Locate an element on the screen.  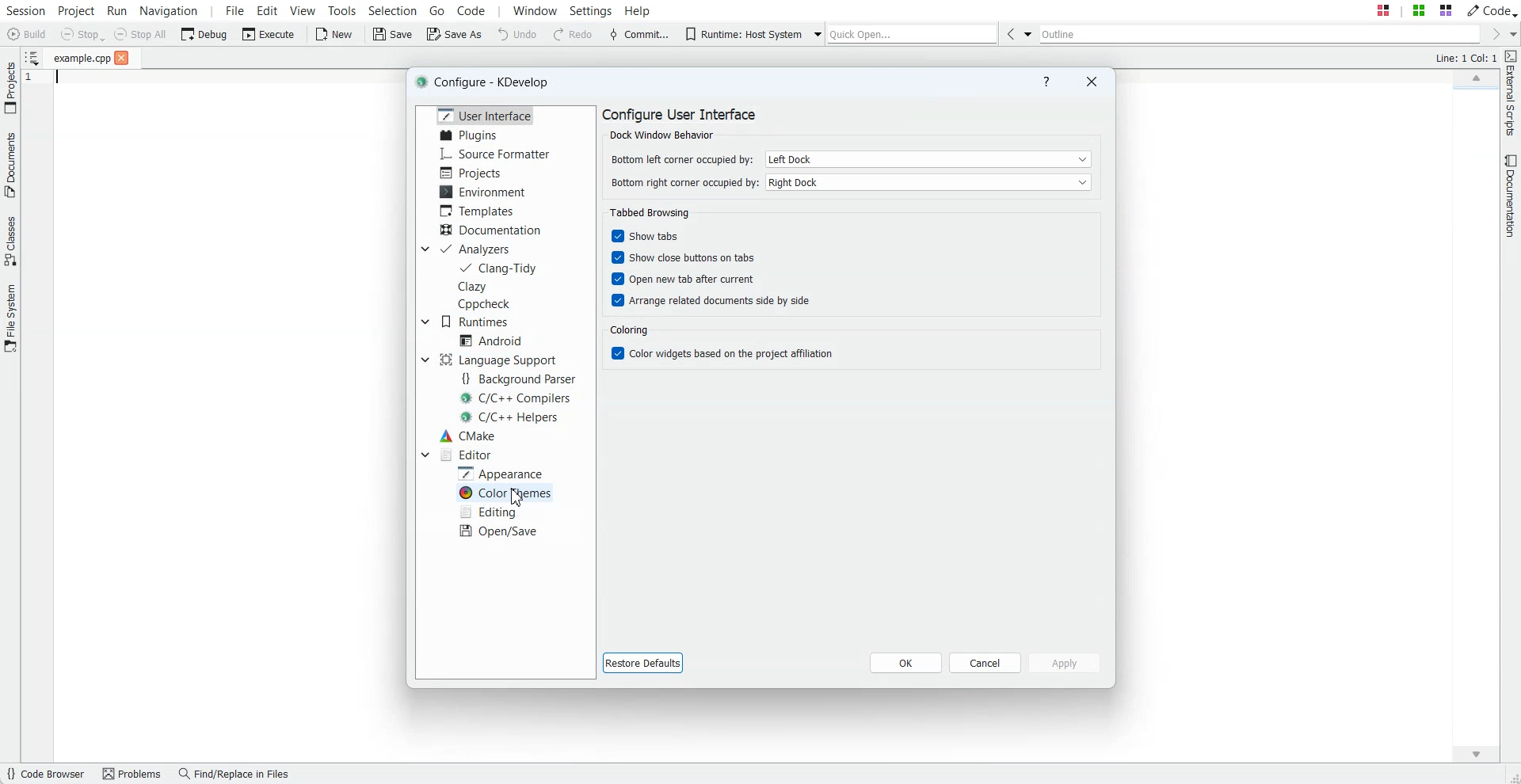
OK is located at coordinates (905, 662).